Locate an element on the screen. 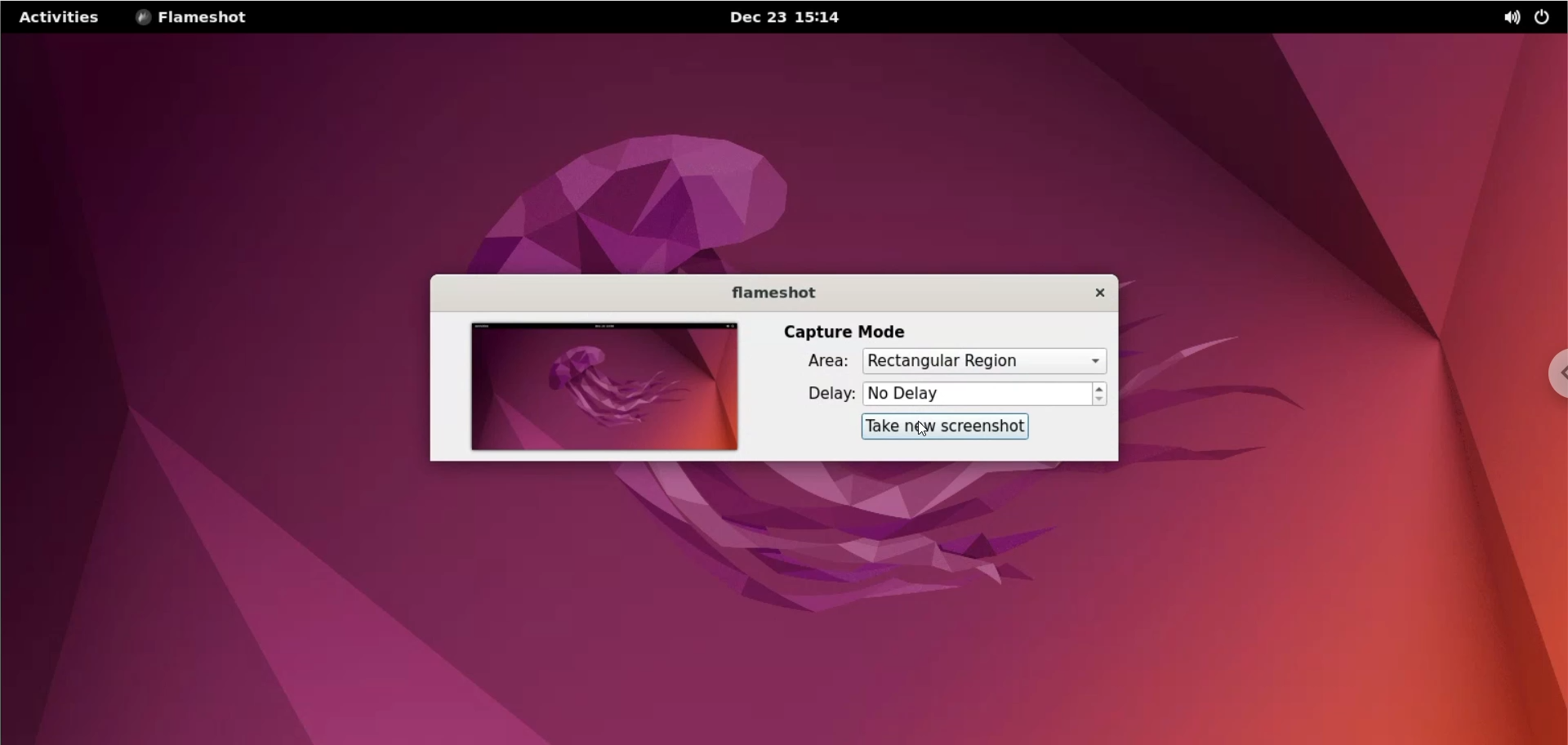  flameshot options is located at coordinates (207, 17).